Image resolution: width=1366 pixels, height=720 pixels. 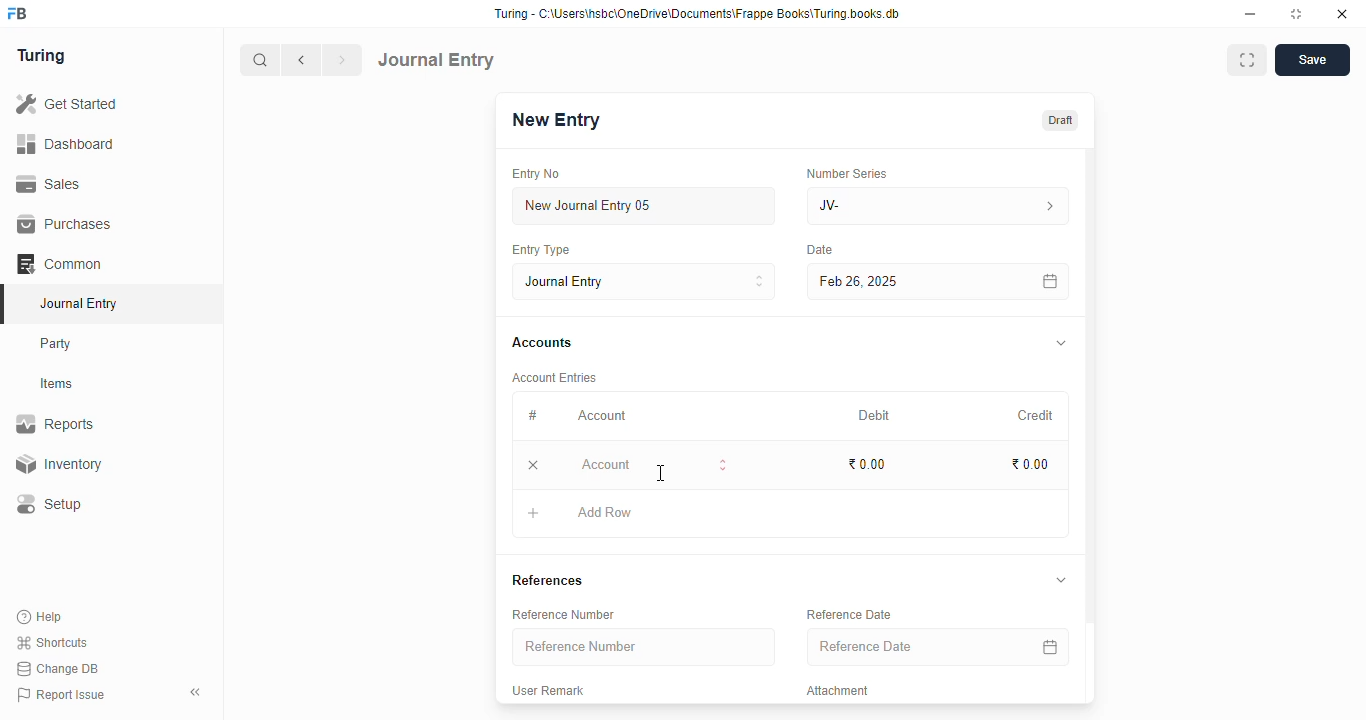 I want to click on previous, so click(x=303, y=60).